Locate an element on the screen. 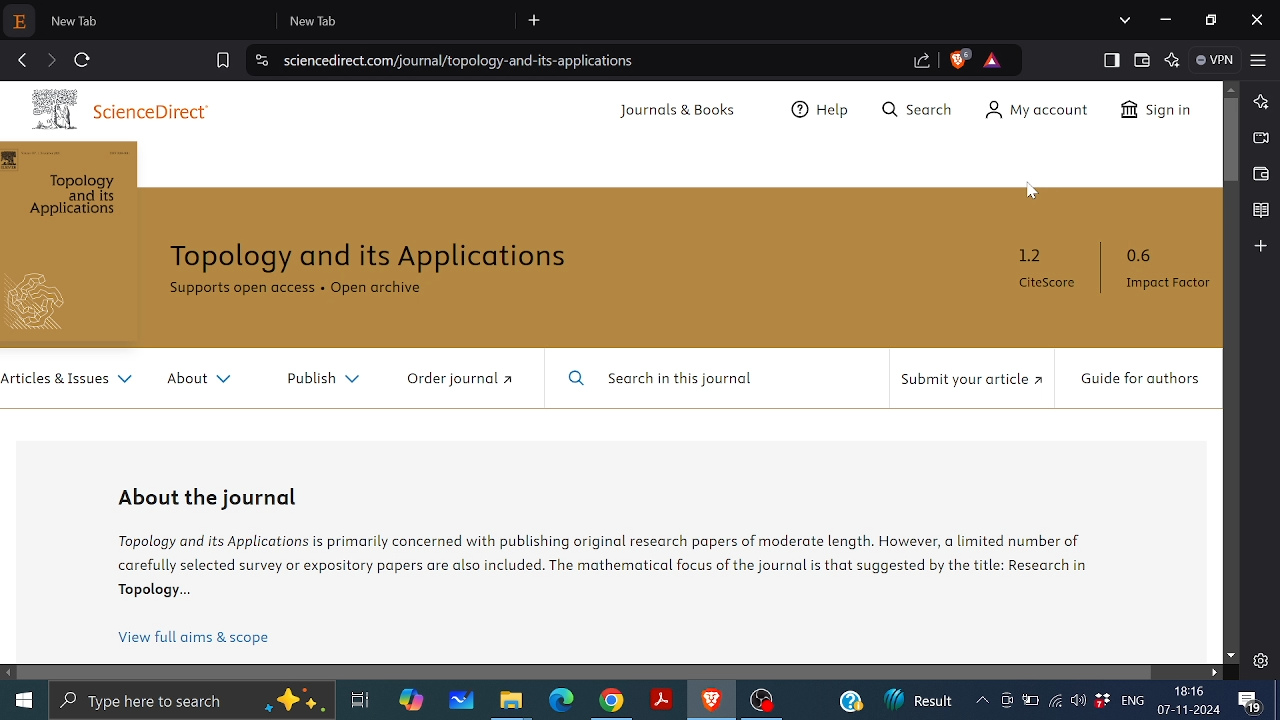 Image resolution: width=1280 pixels, height=720 pixels. Masseges is located at coordinates (1250, 701).